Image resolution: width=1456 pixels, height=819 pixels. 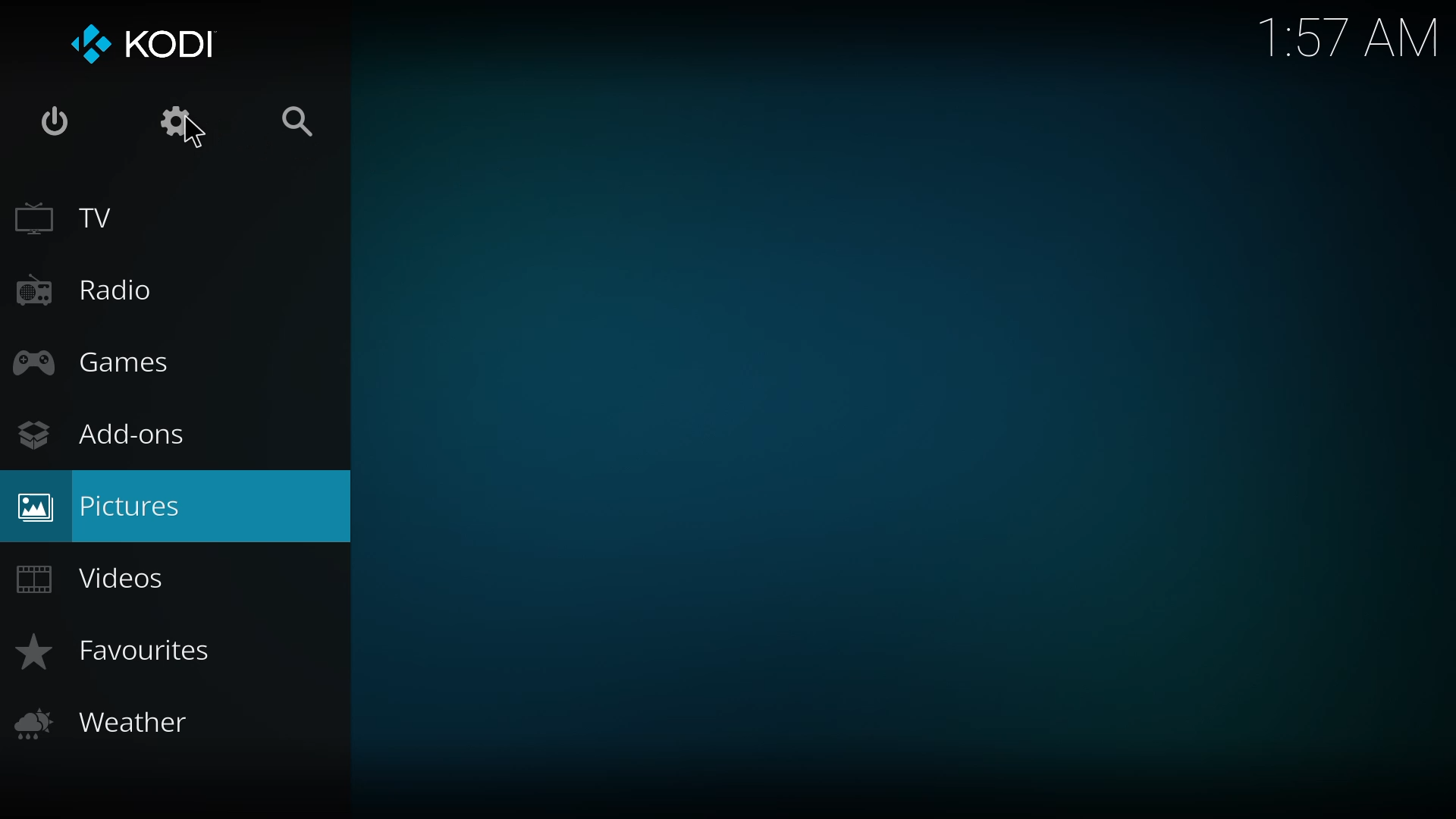 What do you see at coordinates (93, 287) in the screenshot?
I see `radio` at bounding box center [93, 287].